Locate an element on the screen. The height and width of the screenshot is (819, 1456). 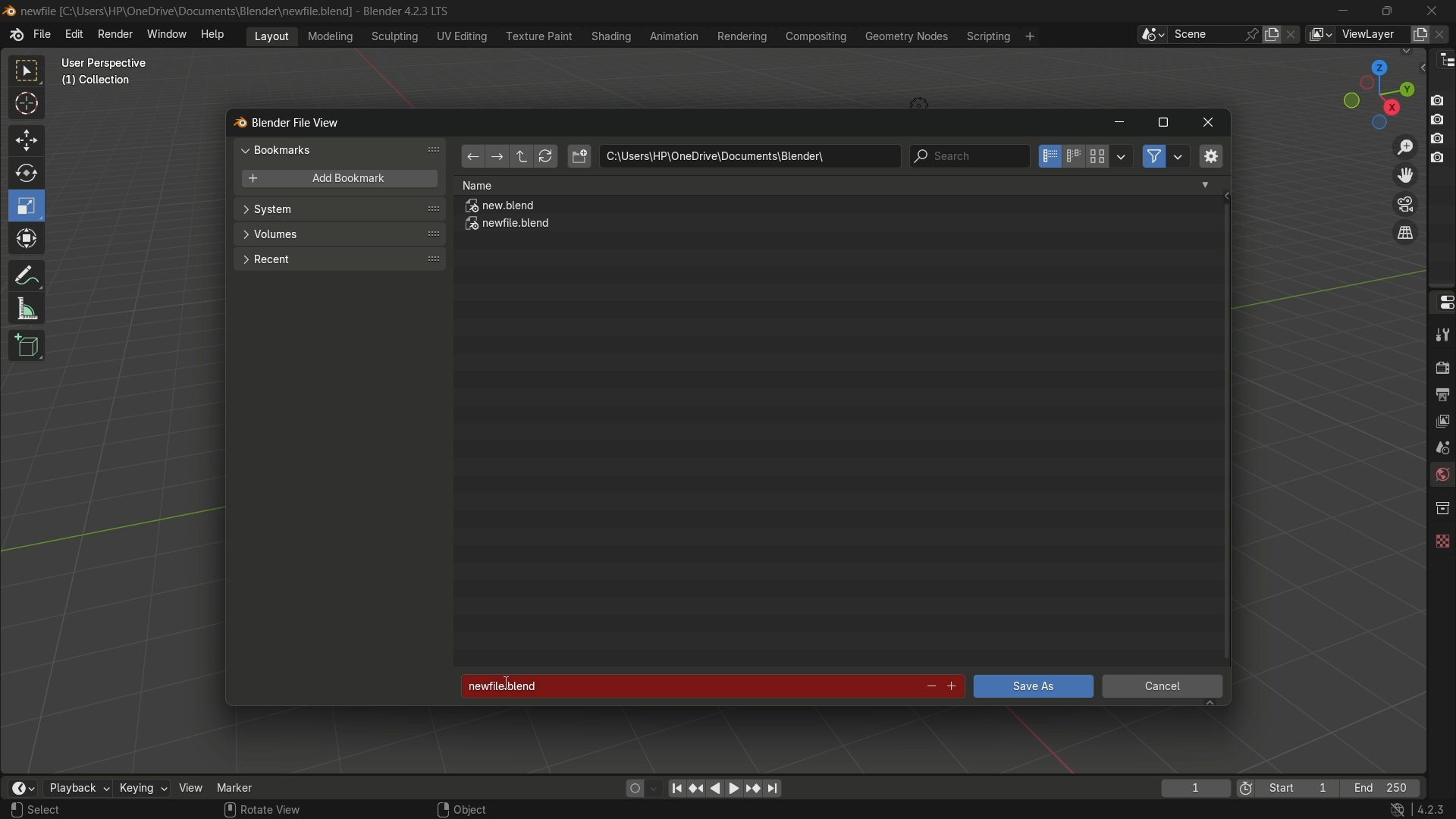
annotate is located at coordinates (26, 274).